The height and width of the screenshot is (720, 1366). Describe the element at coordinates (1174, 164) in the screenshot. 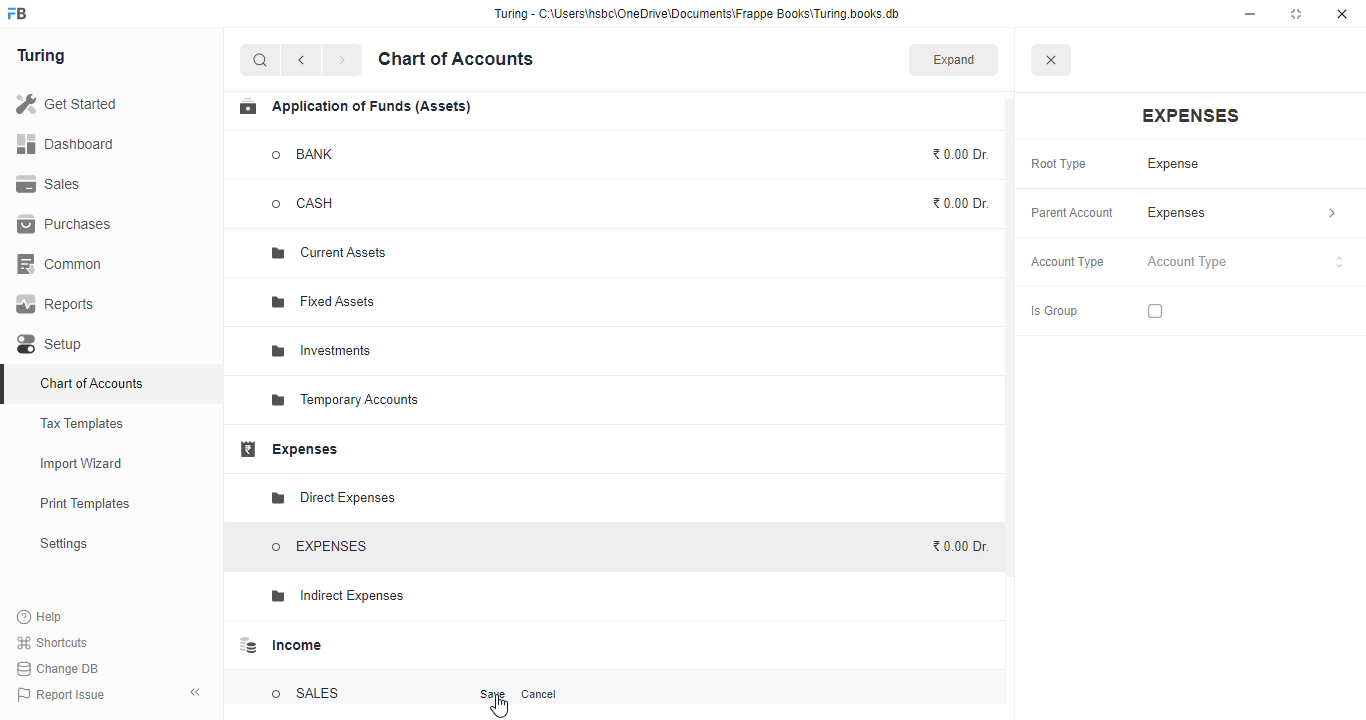

I see `expense` at that location.